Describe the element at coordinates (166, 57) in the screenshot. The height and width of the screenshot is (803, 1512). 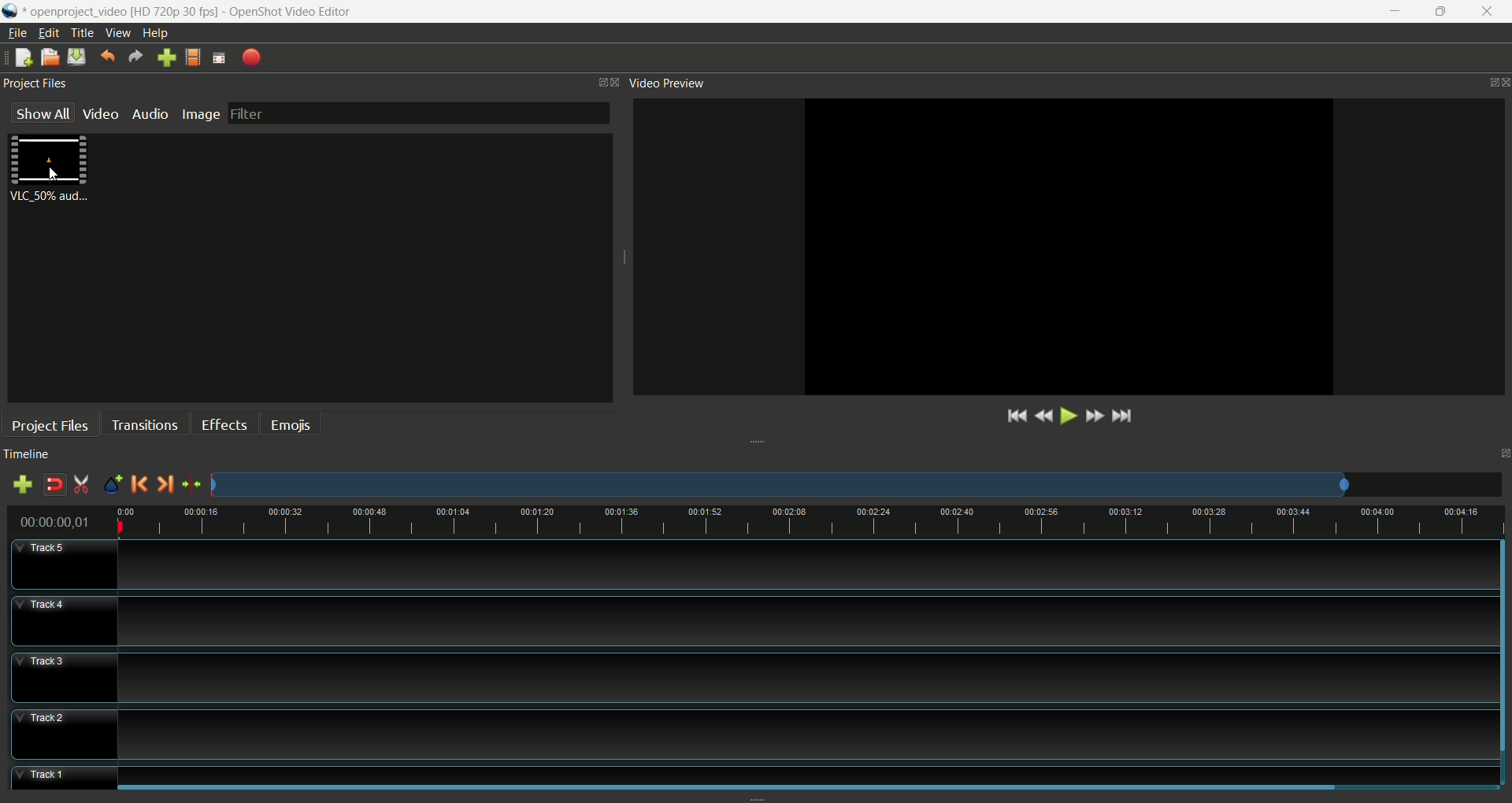
I see `import files` at that location.